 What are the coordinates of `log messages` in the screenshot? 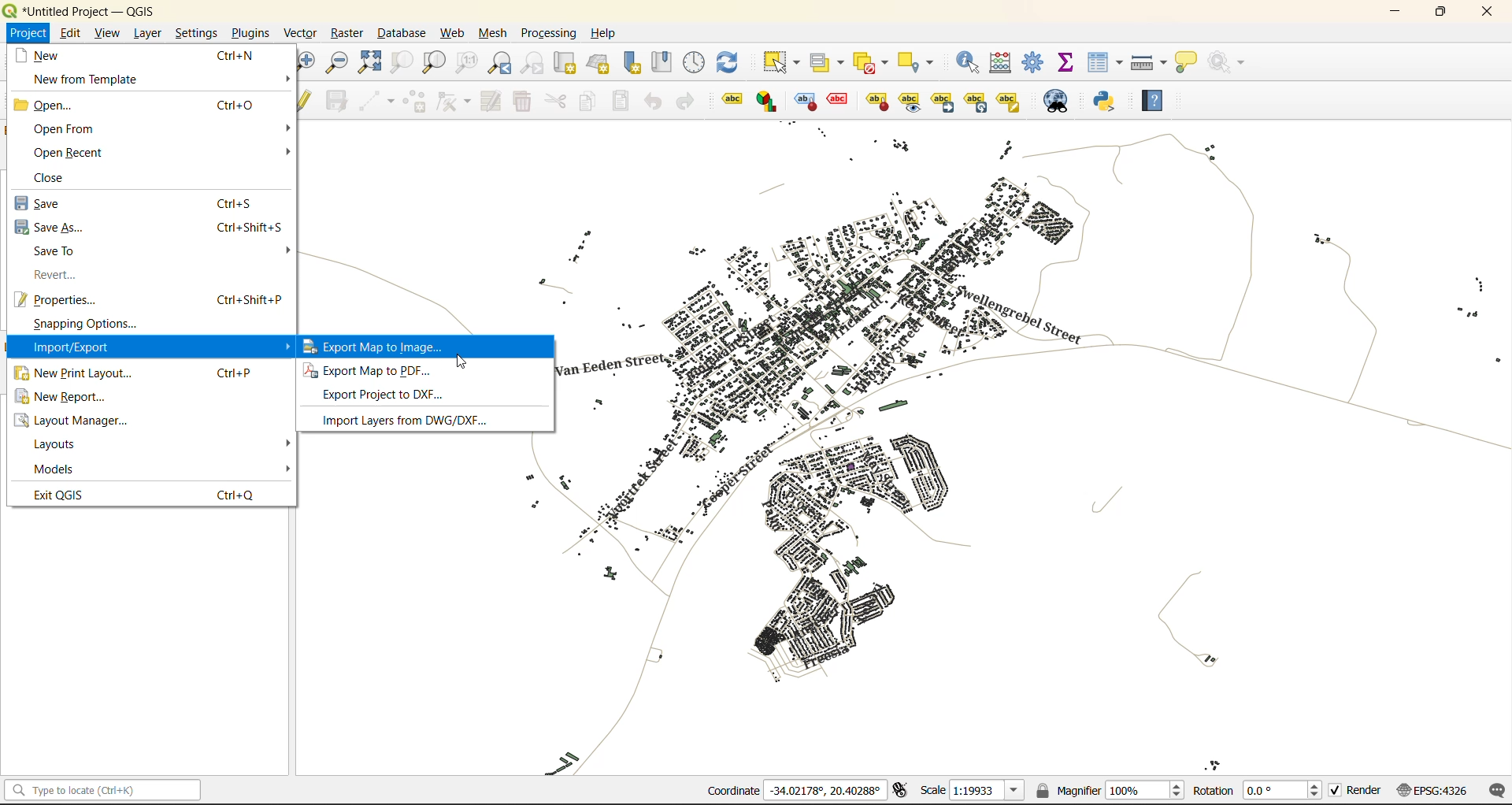 It's located at (1494, 791).